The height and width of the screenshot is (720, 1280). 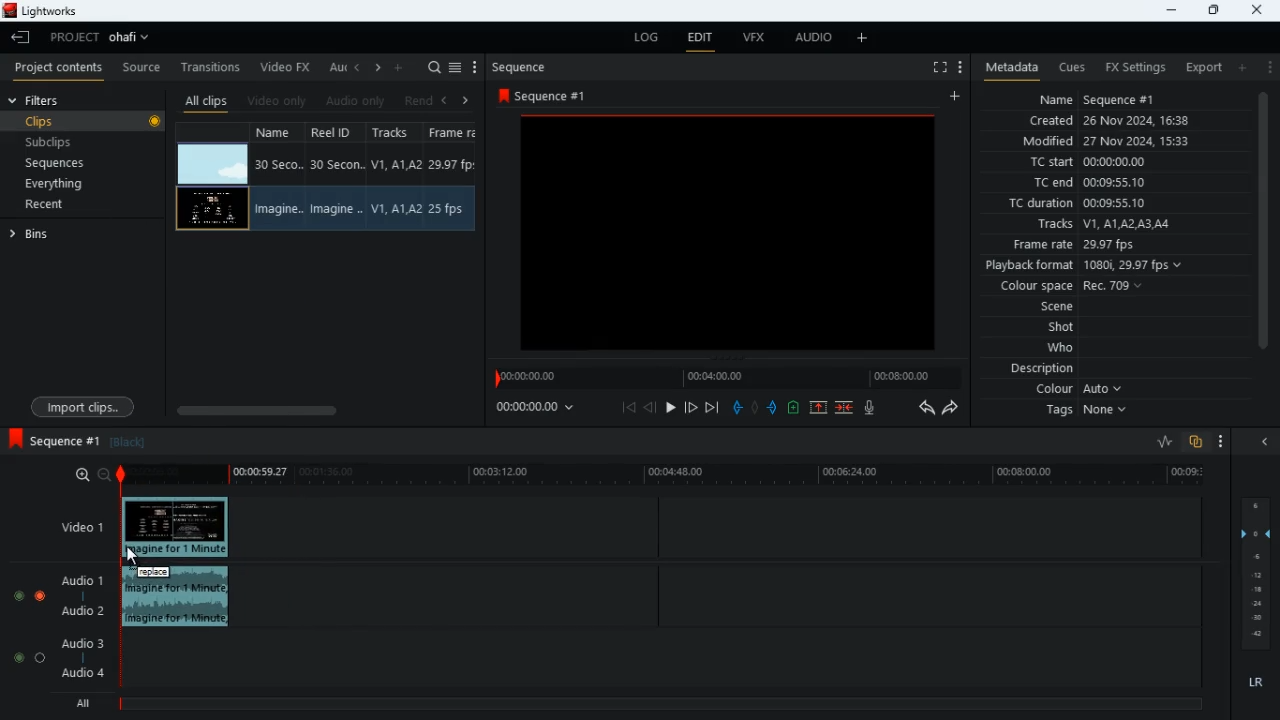 What do you see at coordinates (1120, 100) in the screenshot?
I see `name` at bounding box center [1120, 100].